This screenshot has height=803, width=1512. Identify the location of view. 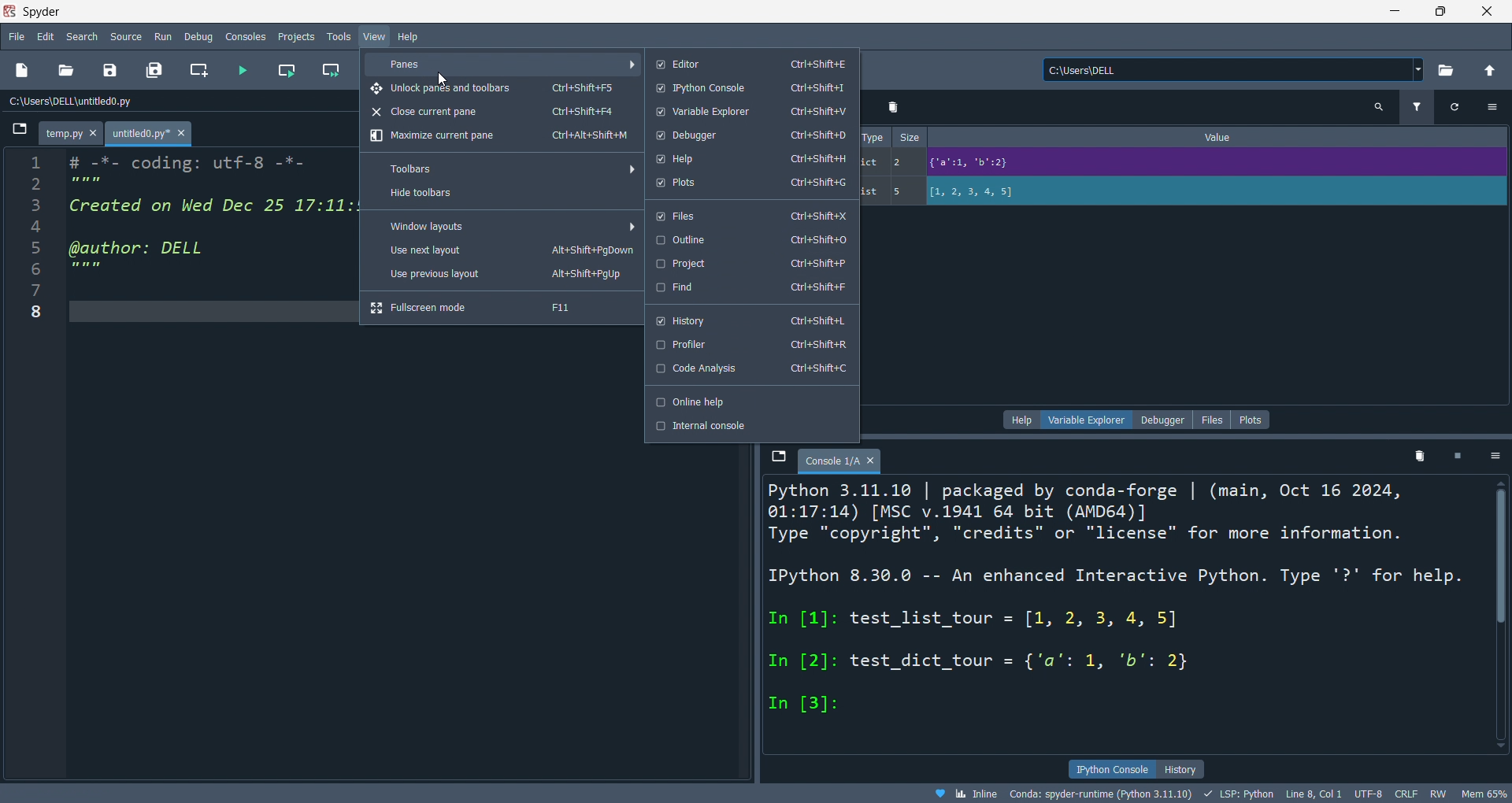
(376, 35).